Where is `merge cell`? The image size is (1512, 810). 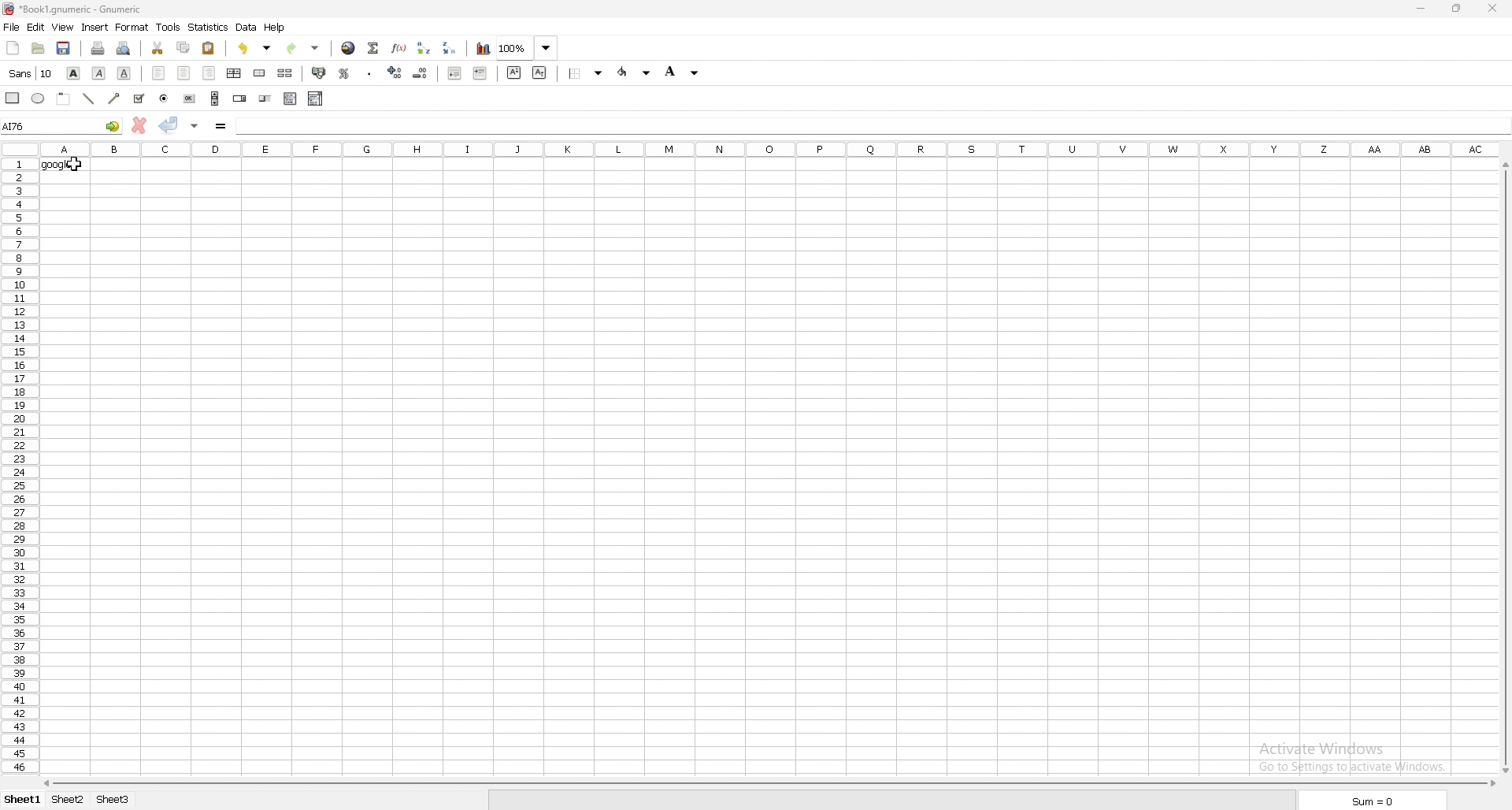 merge cell is located at coordinates (261, 73).